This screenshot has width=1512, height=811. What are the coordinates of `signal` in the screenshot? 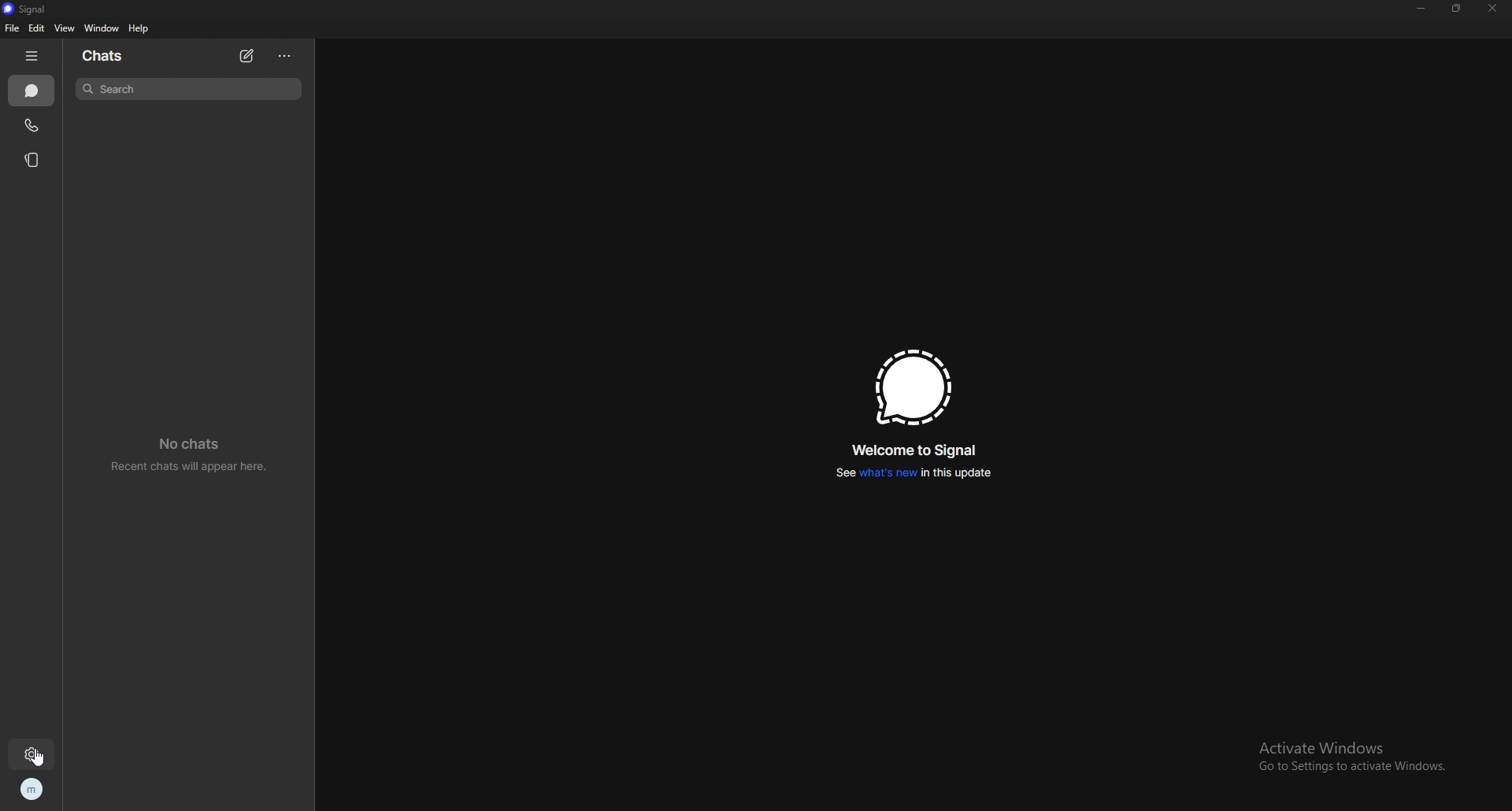 It's located at (30, 9).